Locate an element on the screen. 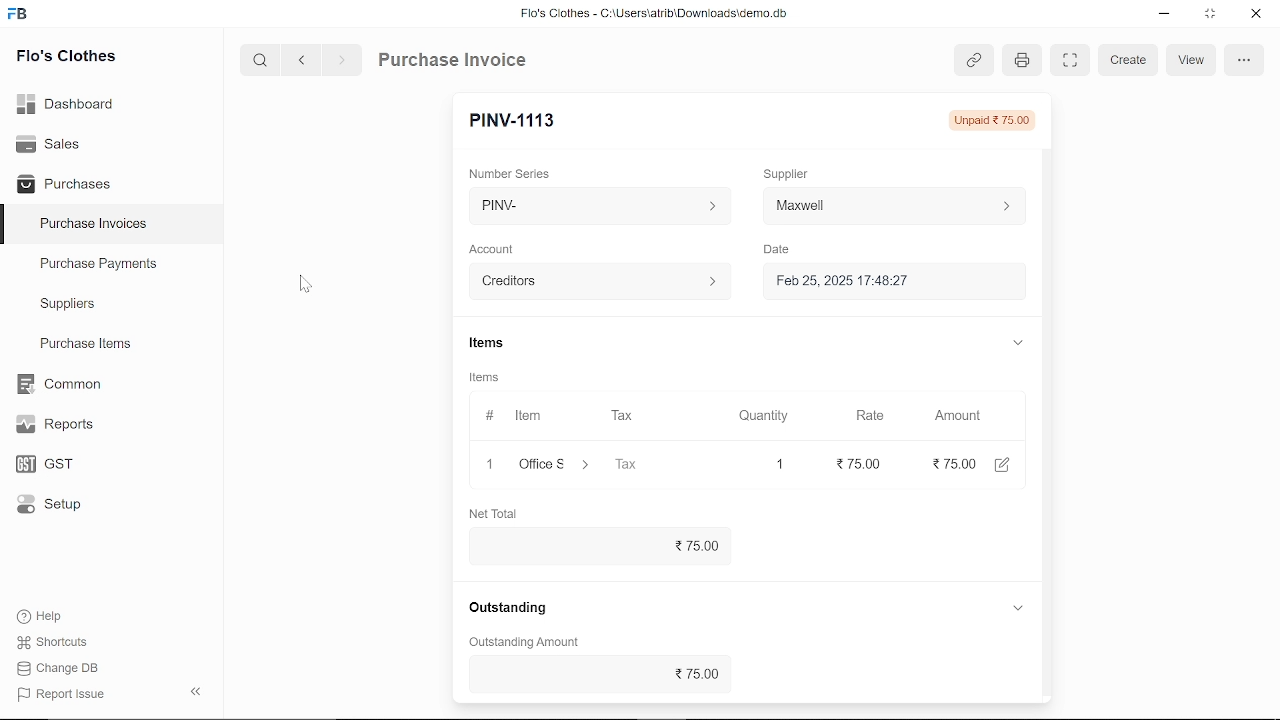 The height and width of the screenshot is (720, 1280). Shortcuts is located at coordinates (49, 643).